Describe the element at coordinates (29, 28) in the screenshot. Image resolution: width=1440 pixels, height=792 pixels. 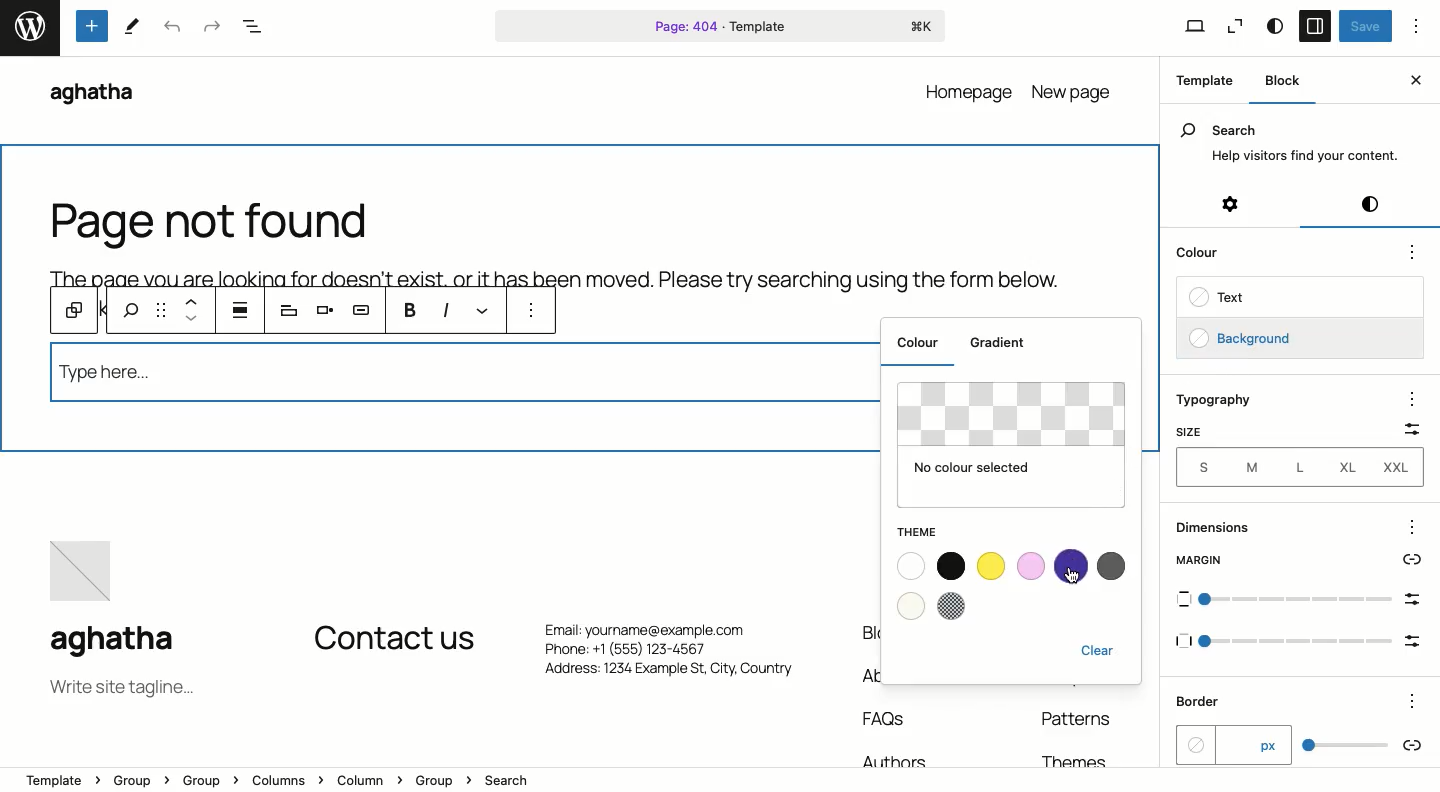
I see `word press logo` at that location.